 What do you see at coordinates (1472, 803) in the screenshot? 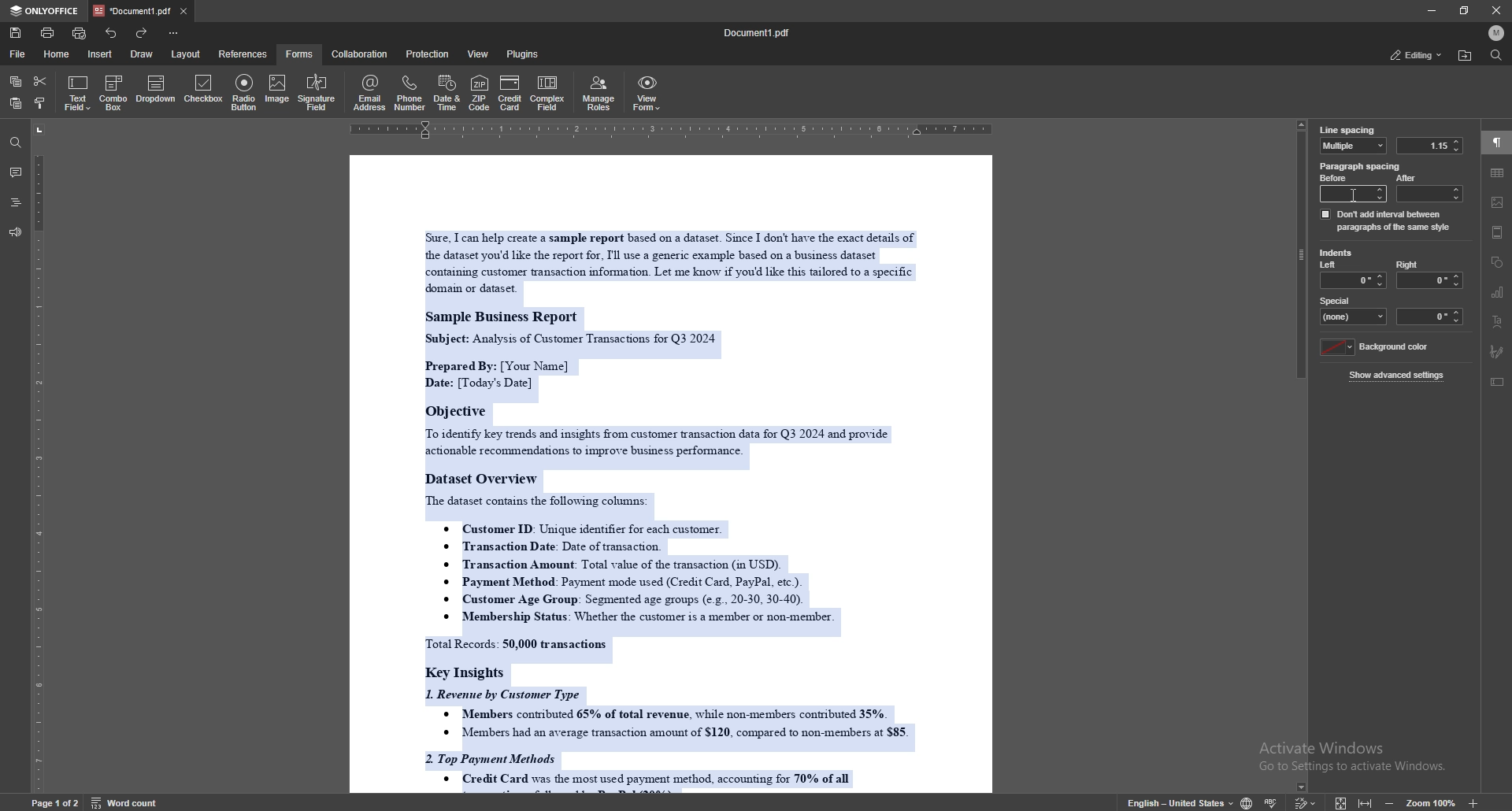
I see `zoom in` at bounding box center [1472, 803].